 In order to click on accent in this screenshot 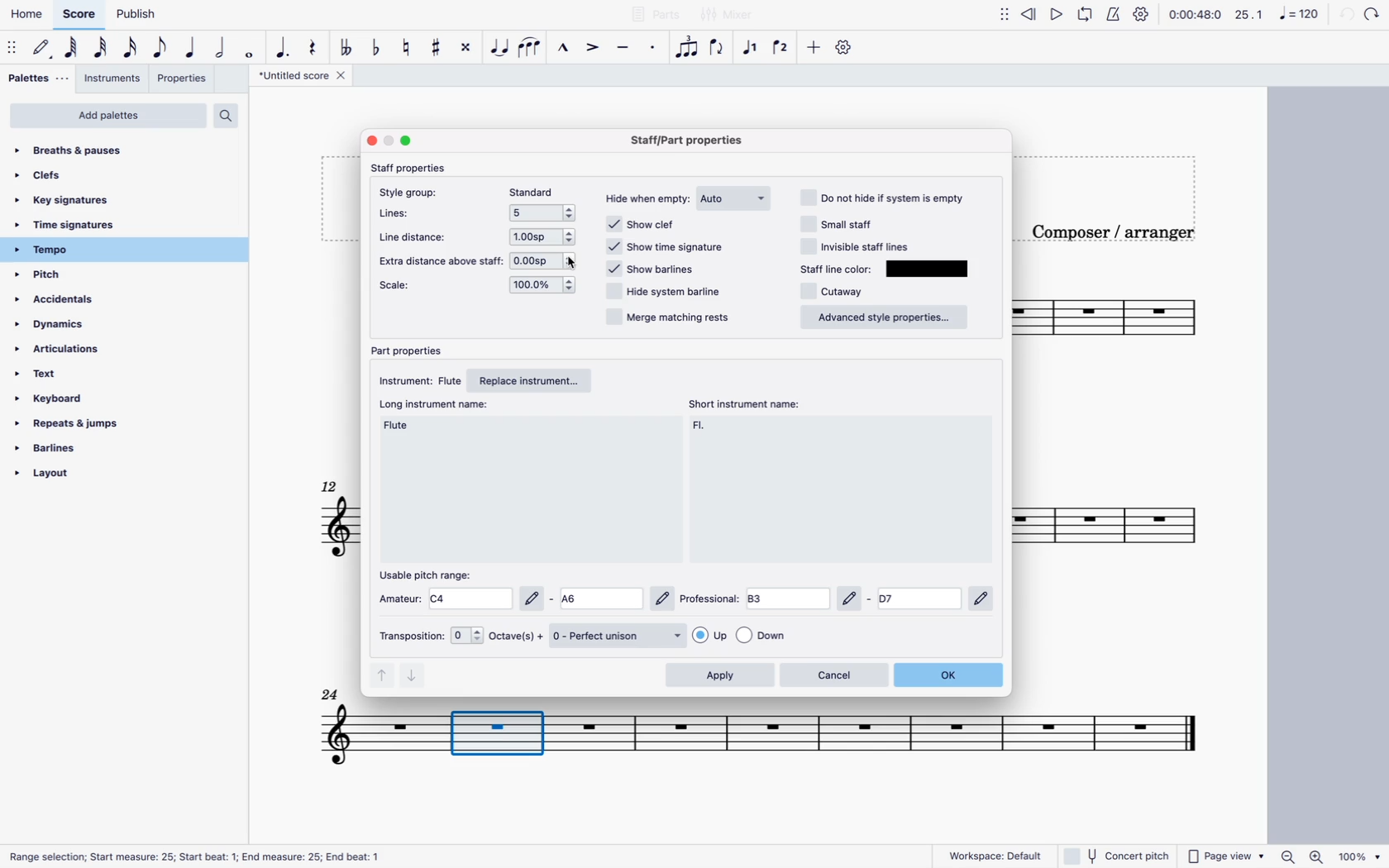, I will do `click(594, 48)`.